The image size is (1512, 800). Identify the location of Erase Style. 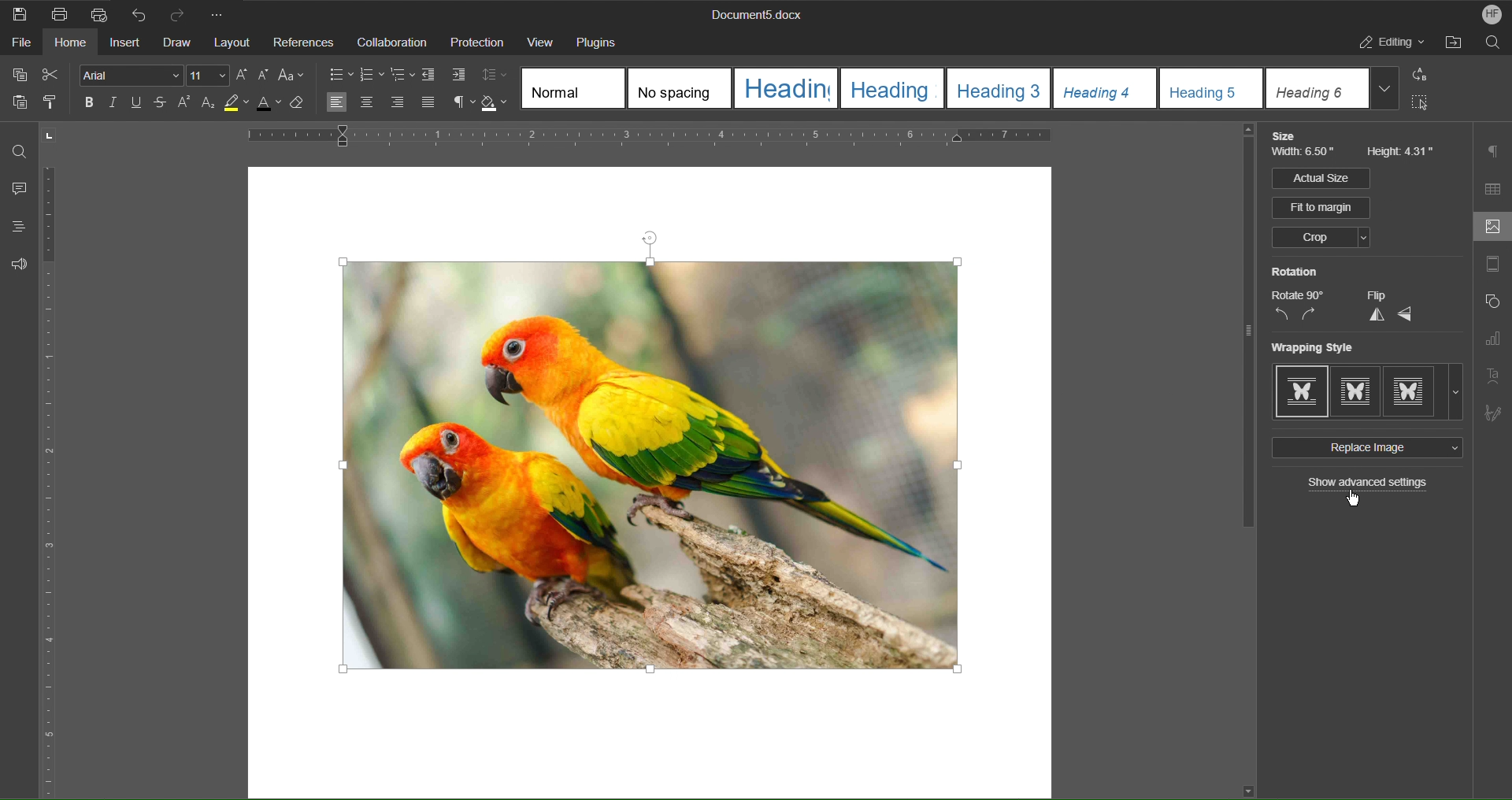
(306, 107).